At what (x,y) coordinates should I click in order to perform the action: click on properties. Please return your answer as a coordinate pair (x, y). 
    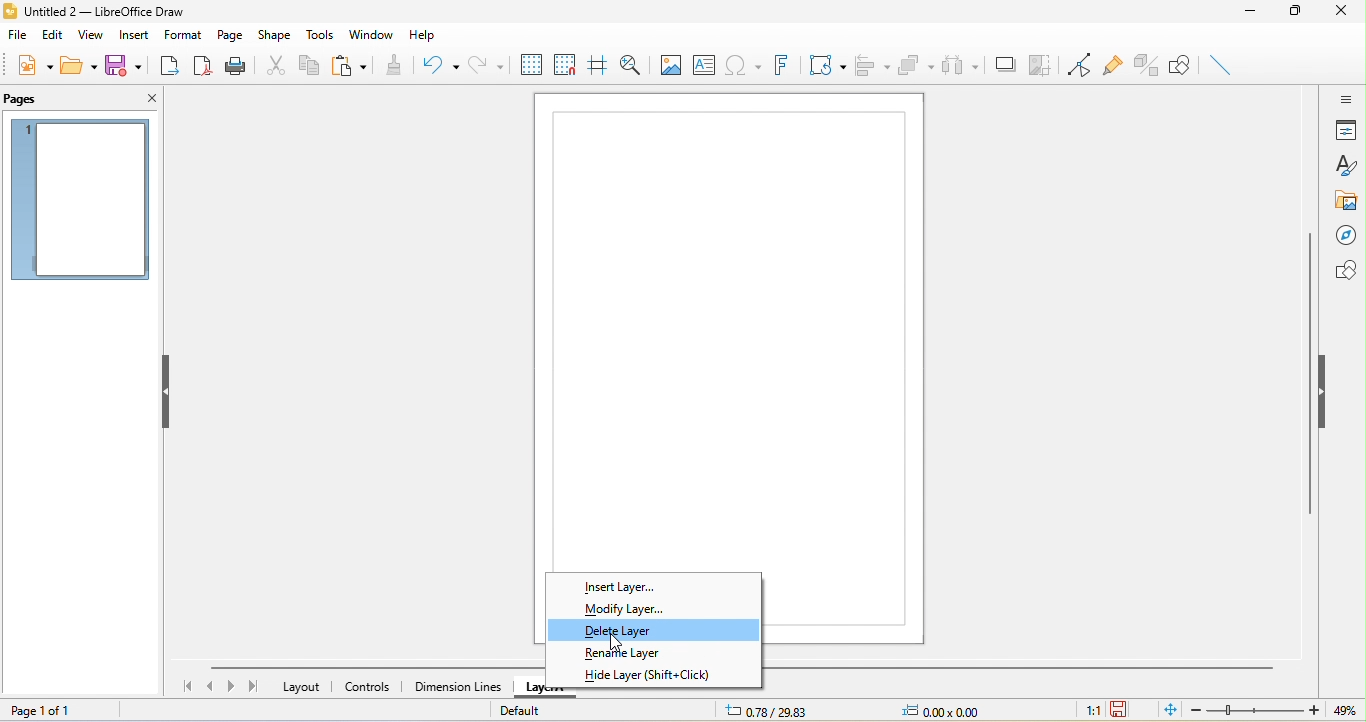
    Looking at the image, I should click on (1346, 132).